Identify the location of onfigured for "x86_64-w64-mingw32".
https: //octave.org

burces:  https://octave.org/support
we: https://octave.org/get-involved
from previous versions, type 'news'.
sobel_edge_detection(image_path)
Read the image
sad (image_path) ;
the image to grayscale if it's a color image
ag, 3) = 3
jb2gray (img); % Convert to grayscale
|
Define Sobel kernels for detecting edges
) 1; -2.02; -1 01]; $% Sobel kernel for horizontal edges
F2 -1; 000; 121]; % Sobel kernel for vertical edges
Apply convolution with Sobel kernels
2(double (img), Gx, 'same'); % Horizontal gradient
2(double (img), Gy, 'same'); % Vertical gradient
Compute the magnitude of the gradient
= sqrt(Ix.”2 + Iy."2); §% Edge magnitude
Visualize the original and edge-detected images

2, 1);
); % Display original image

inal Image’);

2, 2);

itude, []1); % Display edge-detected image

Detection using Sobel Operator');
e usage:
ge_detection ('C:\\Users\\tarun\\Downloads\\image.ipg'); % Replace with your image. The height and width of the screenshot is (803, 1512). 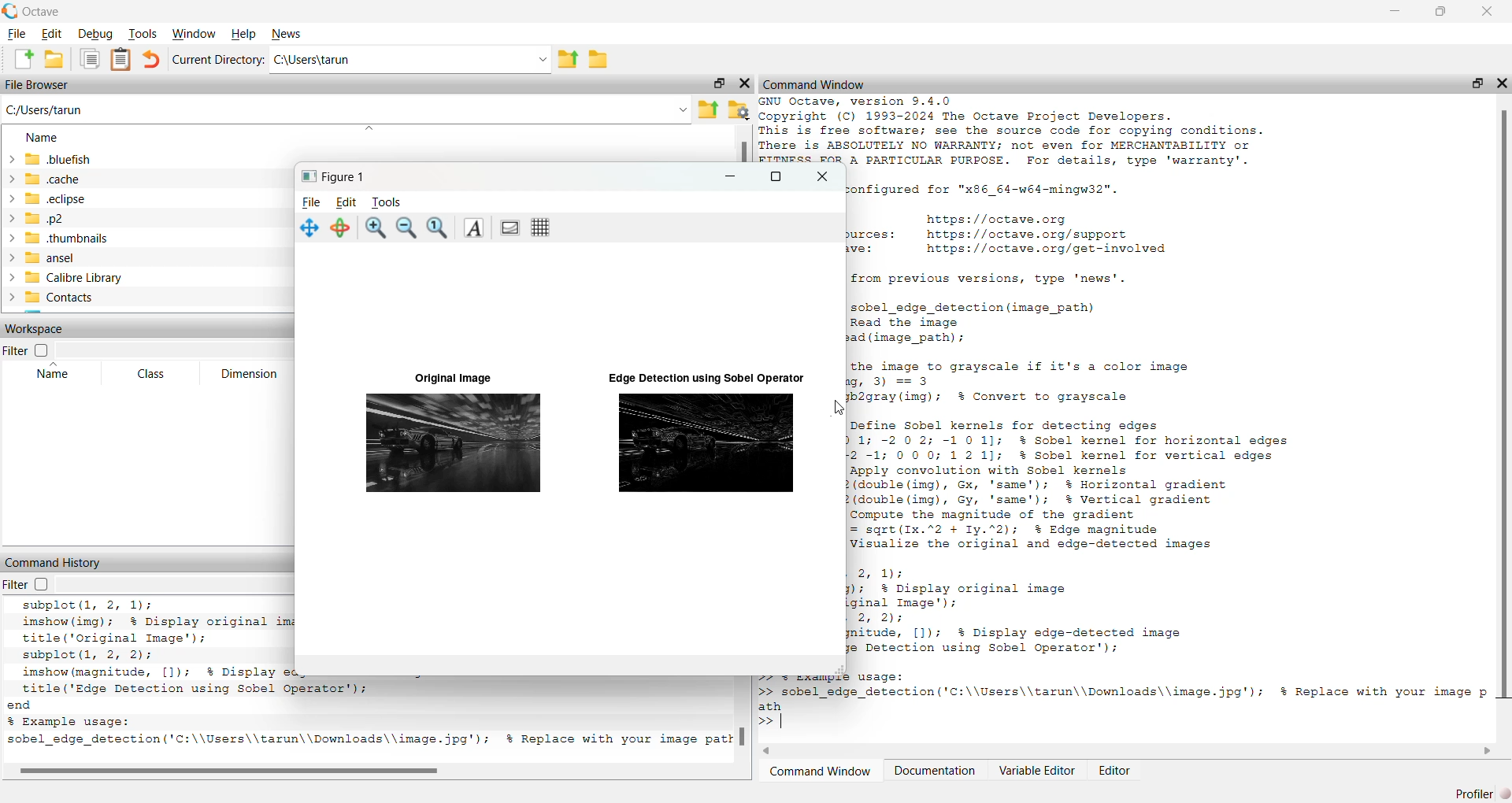
(1165, 446).